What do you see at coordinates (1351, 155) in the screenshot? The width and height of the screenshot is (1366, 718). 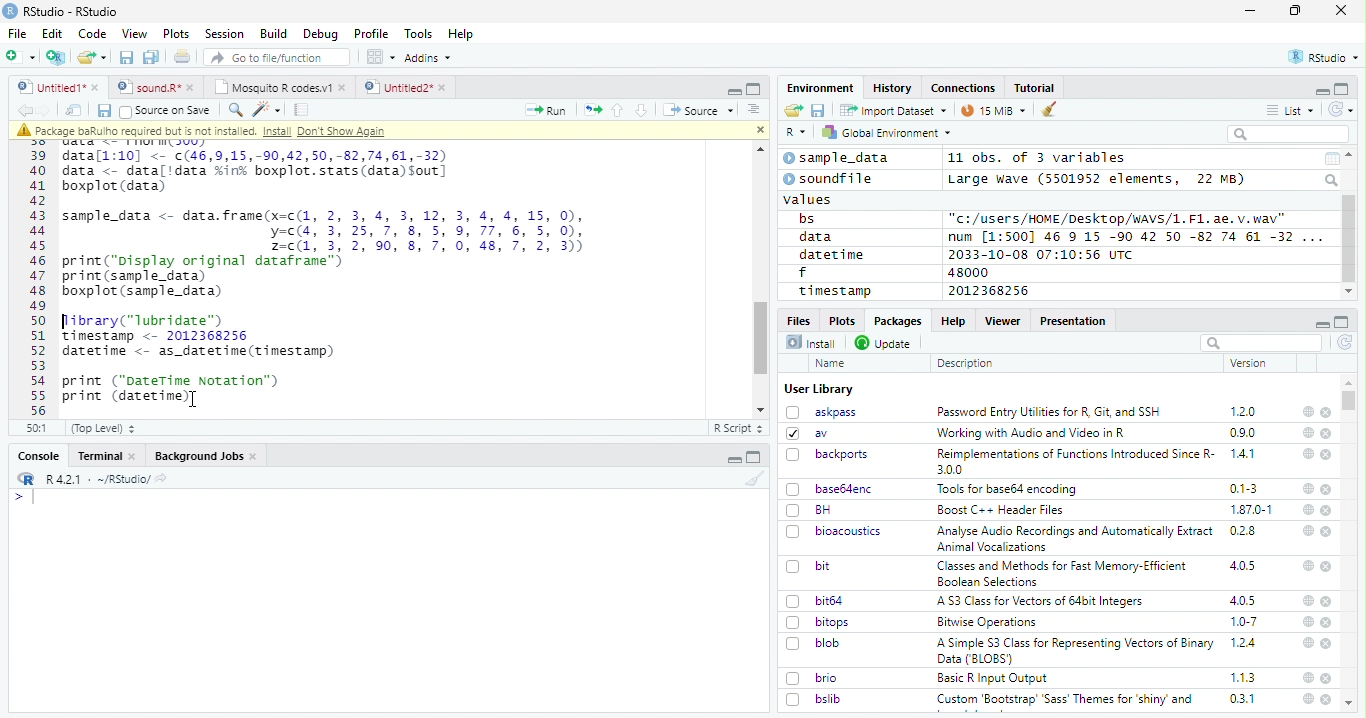 I see `scroll up` at bounding box center [1351, 155].